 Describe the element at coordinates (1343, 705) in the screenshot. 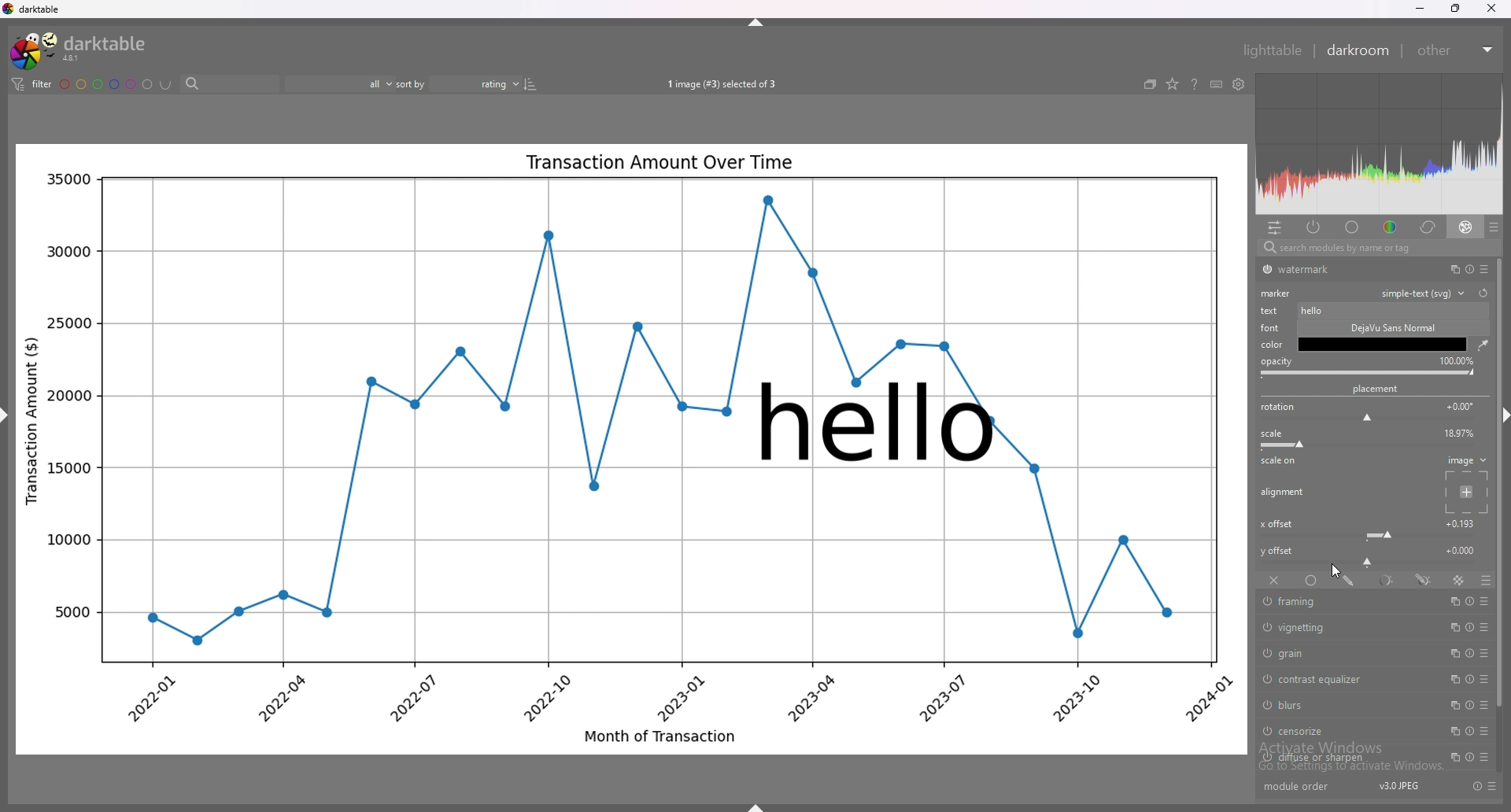

I see `blurs` at that location.